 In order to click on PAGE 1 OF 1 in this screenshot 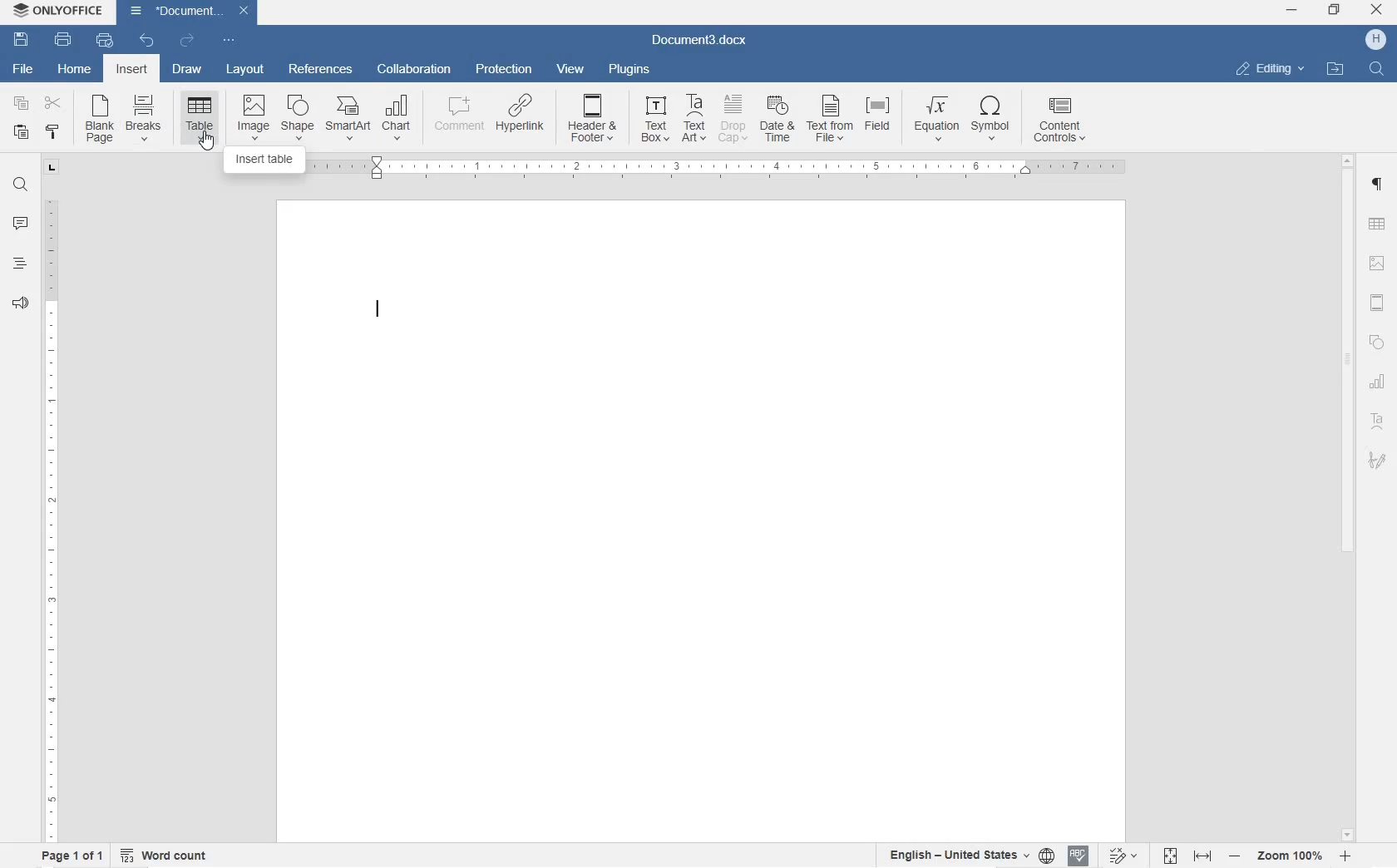, I will do `click(68, 856)`.